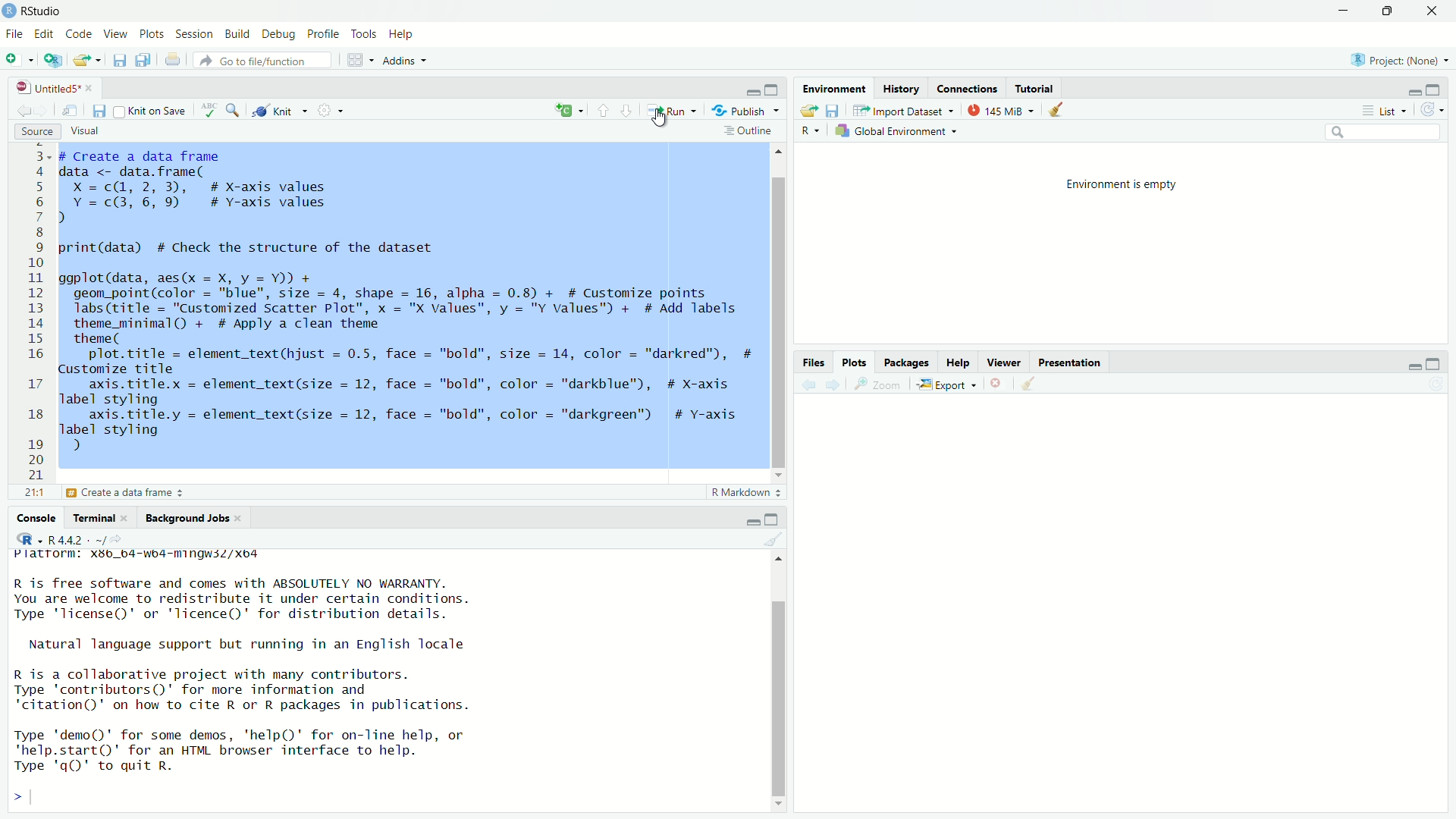 This screenshot has width=1456, height=819. Describe the element at coordinates (196, 36) in the screenshot. I see `Session` at that location.